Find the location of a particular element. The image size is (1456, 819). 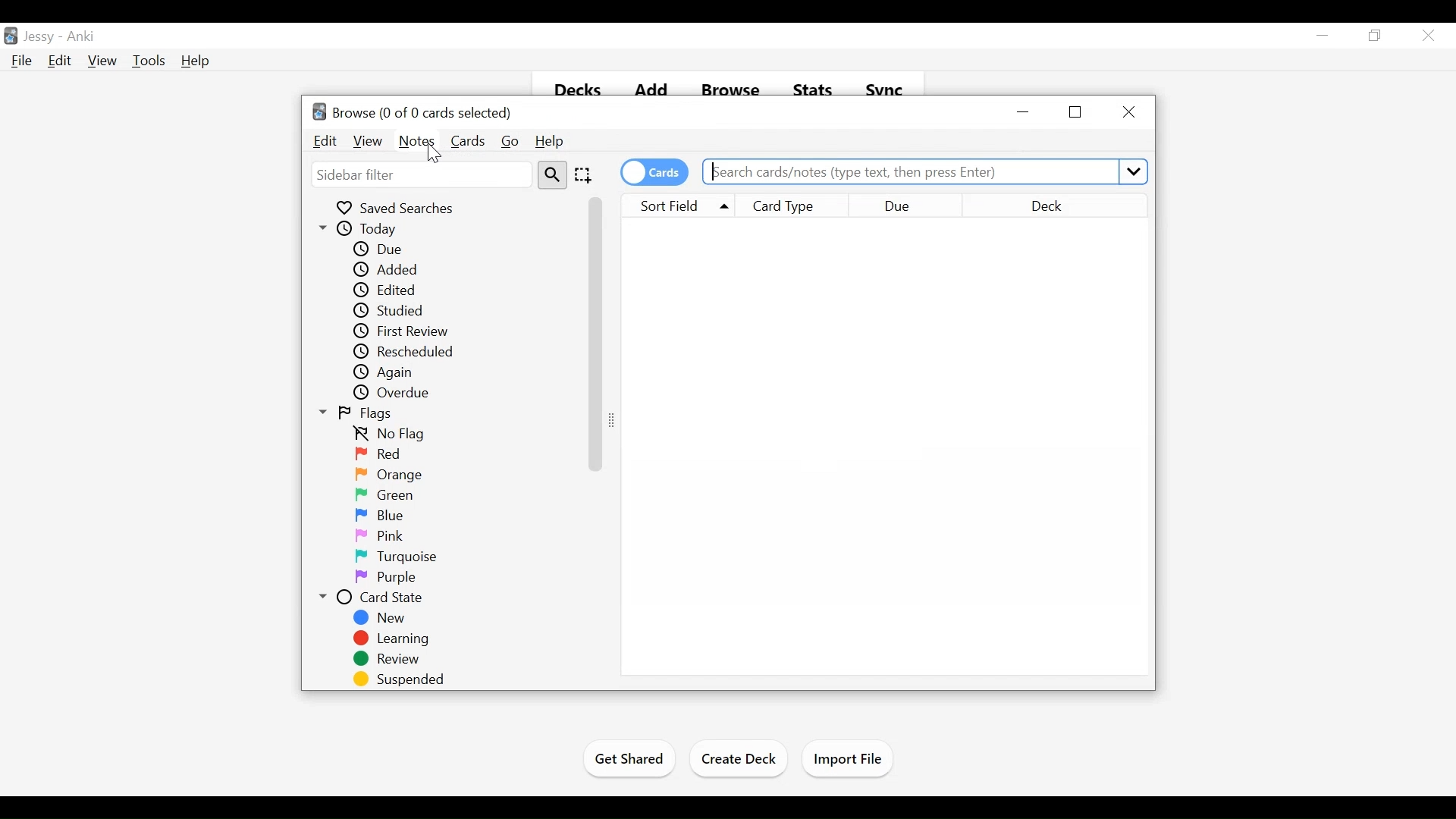

Notes is located at coordinates (417, 142).